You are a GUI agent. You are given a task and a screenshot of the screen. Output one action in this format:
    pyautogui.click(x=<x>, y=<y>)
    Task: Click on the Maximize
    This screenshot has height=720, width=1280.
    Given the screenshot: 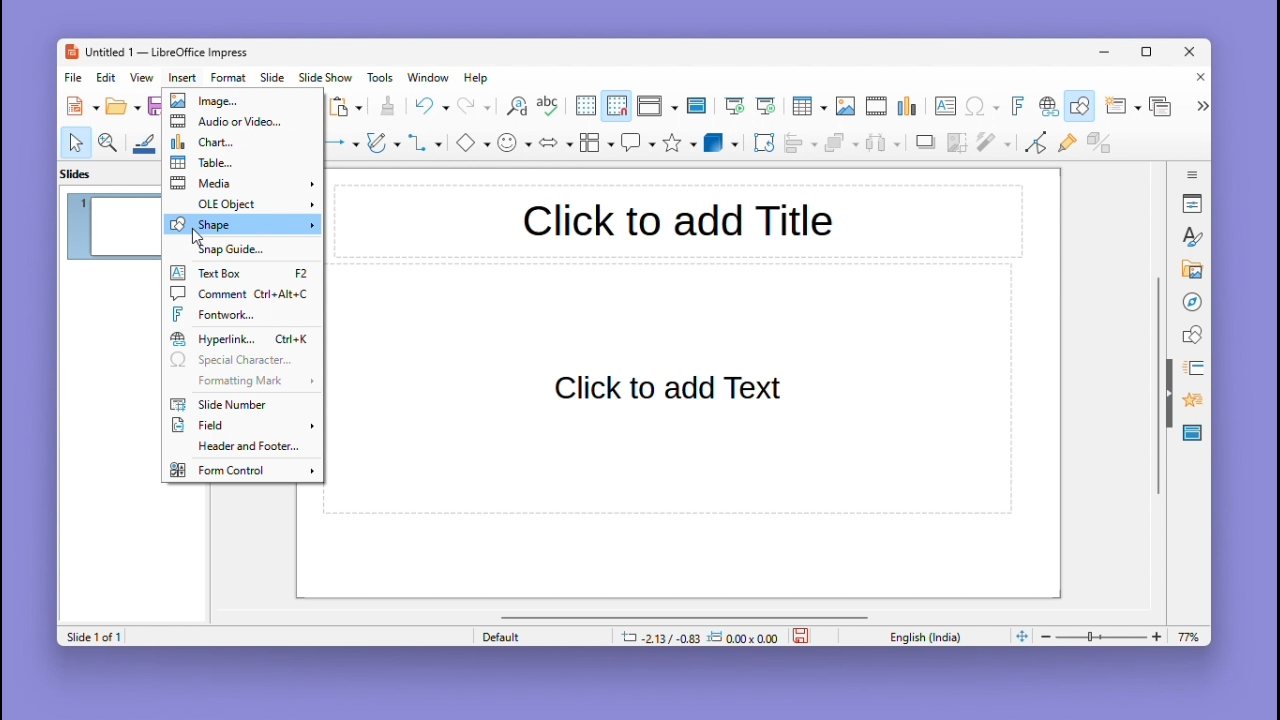 What is the action you would take?
    pyautogui.click(x=1150, y=55)
    